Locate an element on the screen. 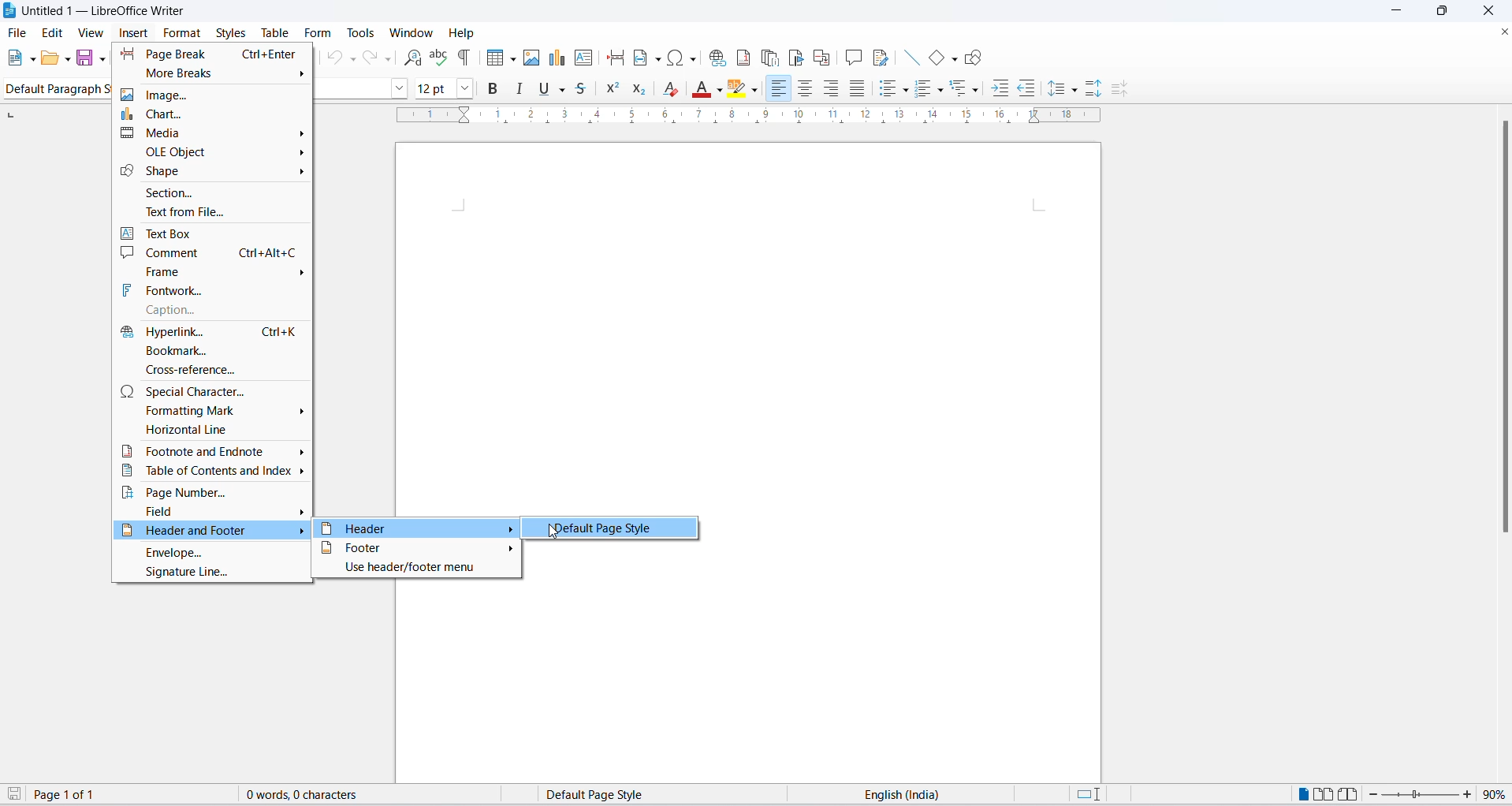  cross-reference is located at coordinates (208, 370).